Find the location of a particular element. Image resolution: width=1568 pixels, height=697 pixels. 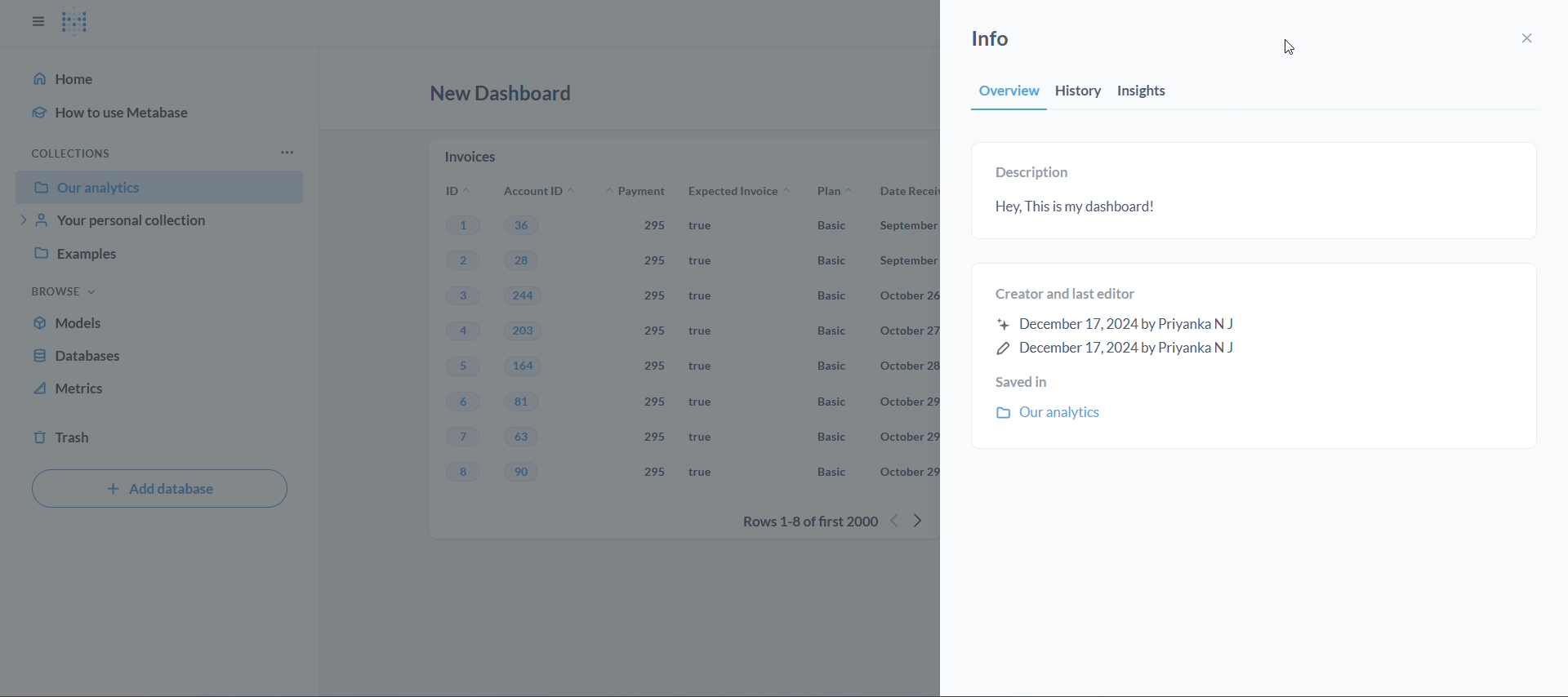

account ID's is located at coordinates (537, 191).